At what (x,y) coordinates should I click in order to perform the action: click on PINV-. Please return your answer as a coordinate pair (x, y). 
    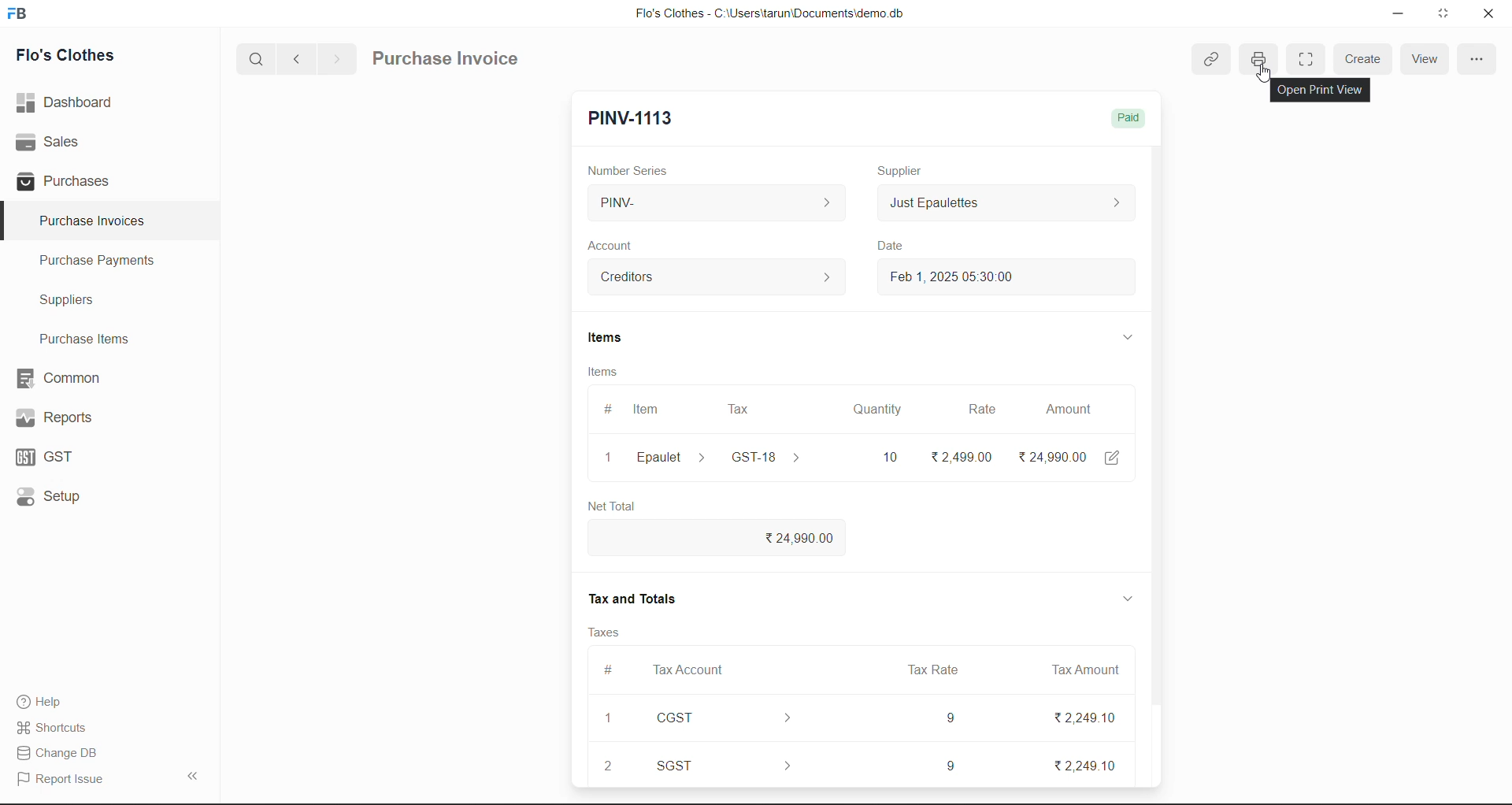
    Looking at the image, I should click on (716, 203).